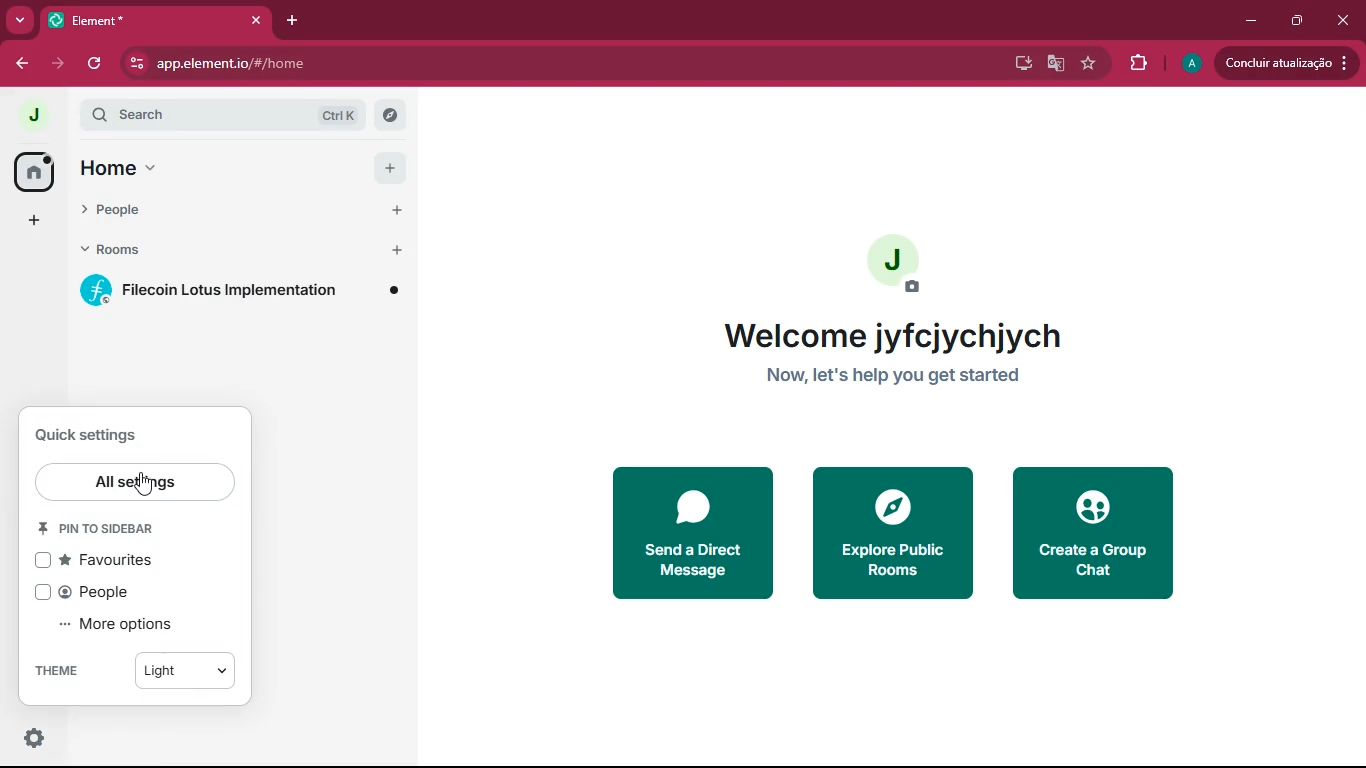  Describe the element at coordinates (20, 21) in the screenshot. I see `more` at that location.